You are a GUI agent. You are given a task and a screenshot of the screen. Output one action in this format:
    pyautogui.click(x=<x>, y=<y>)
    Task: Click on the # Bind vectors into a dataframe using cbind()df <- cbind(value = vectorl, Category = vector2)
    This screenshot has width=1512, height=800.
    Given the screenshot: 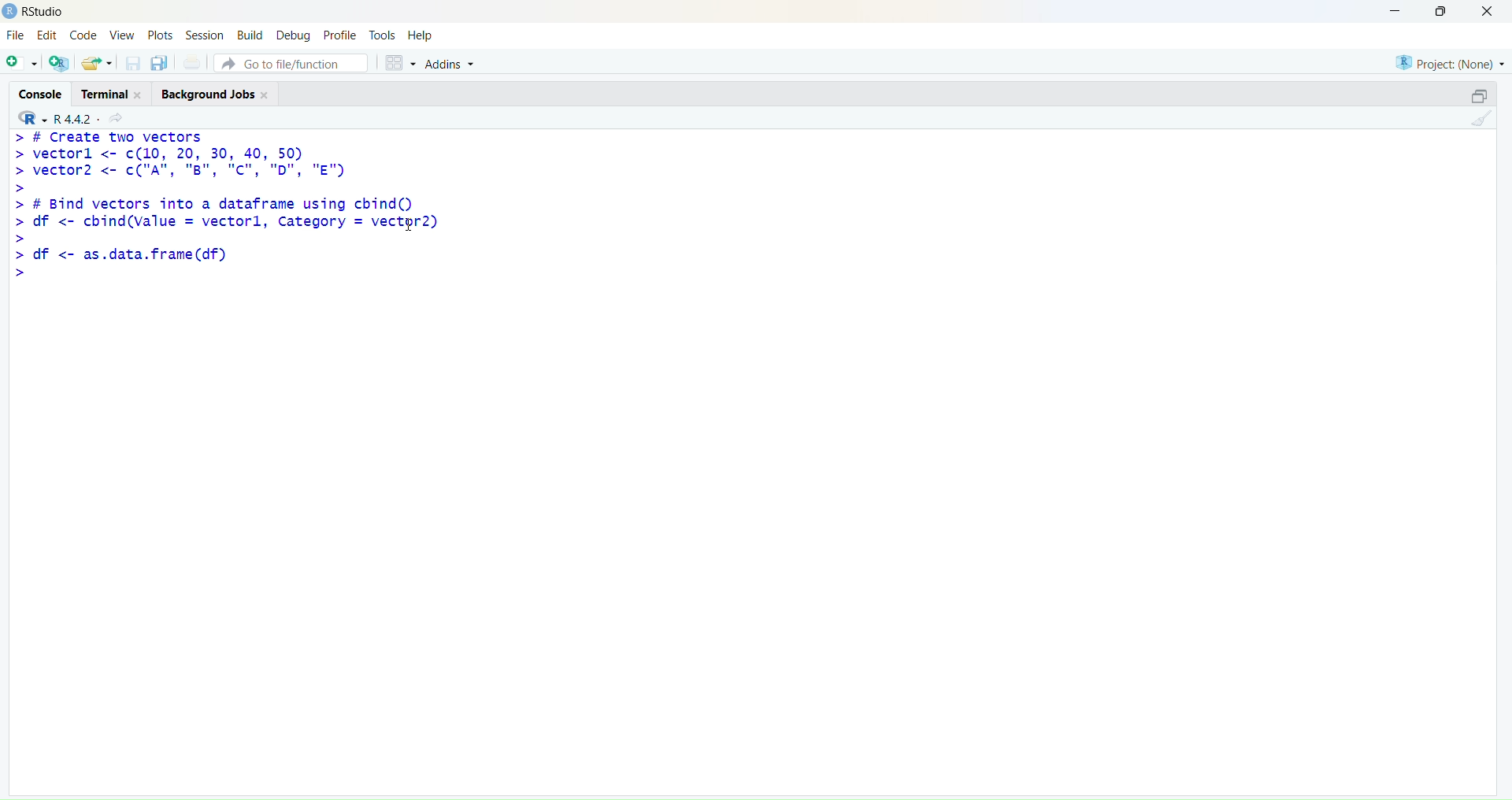 What is the action you would take?
    pyautogui.click(x=225, y=220)
    